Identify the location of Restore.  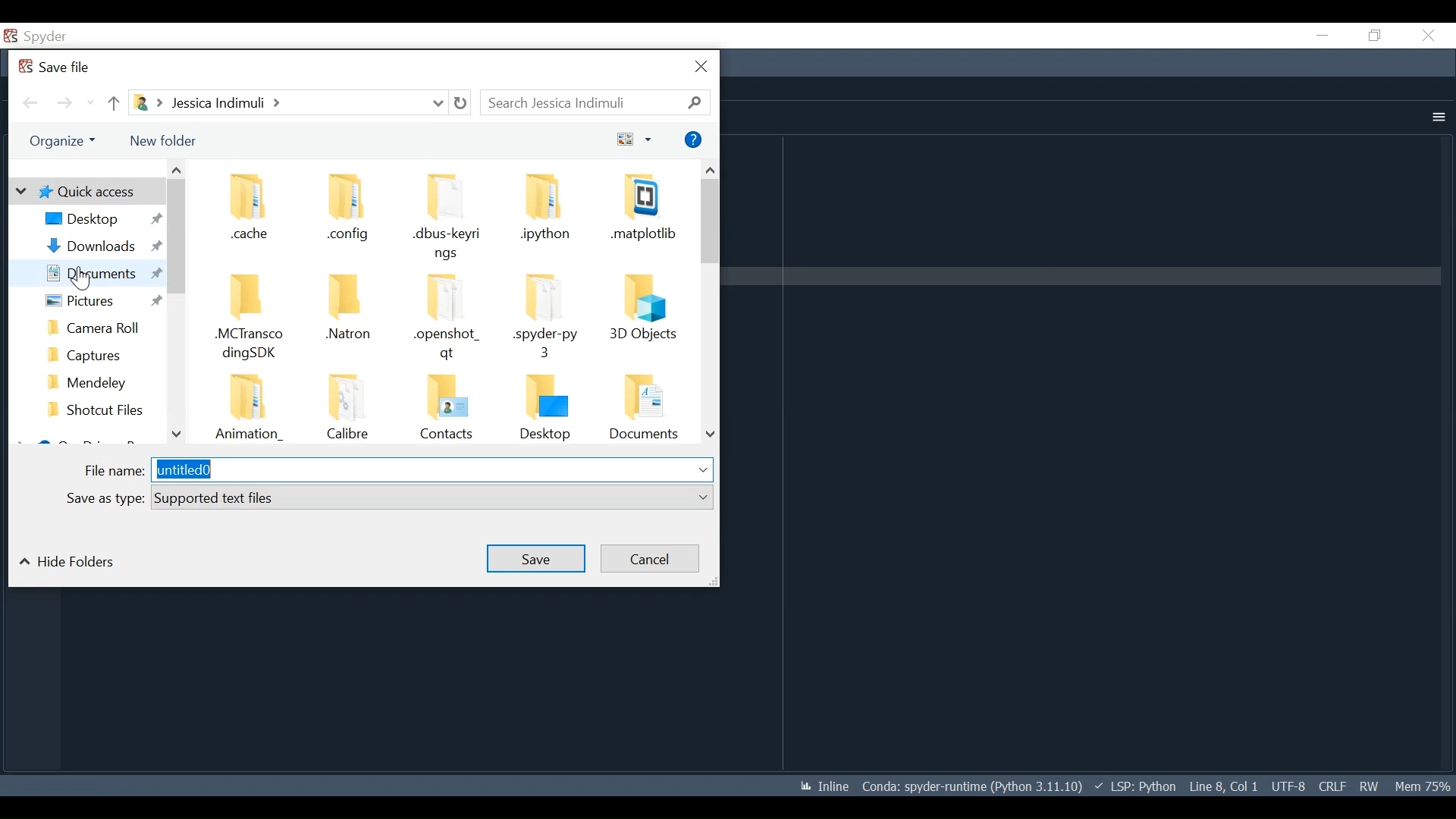
(1373, 36).